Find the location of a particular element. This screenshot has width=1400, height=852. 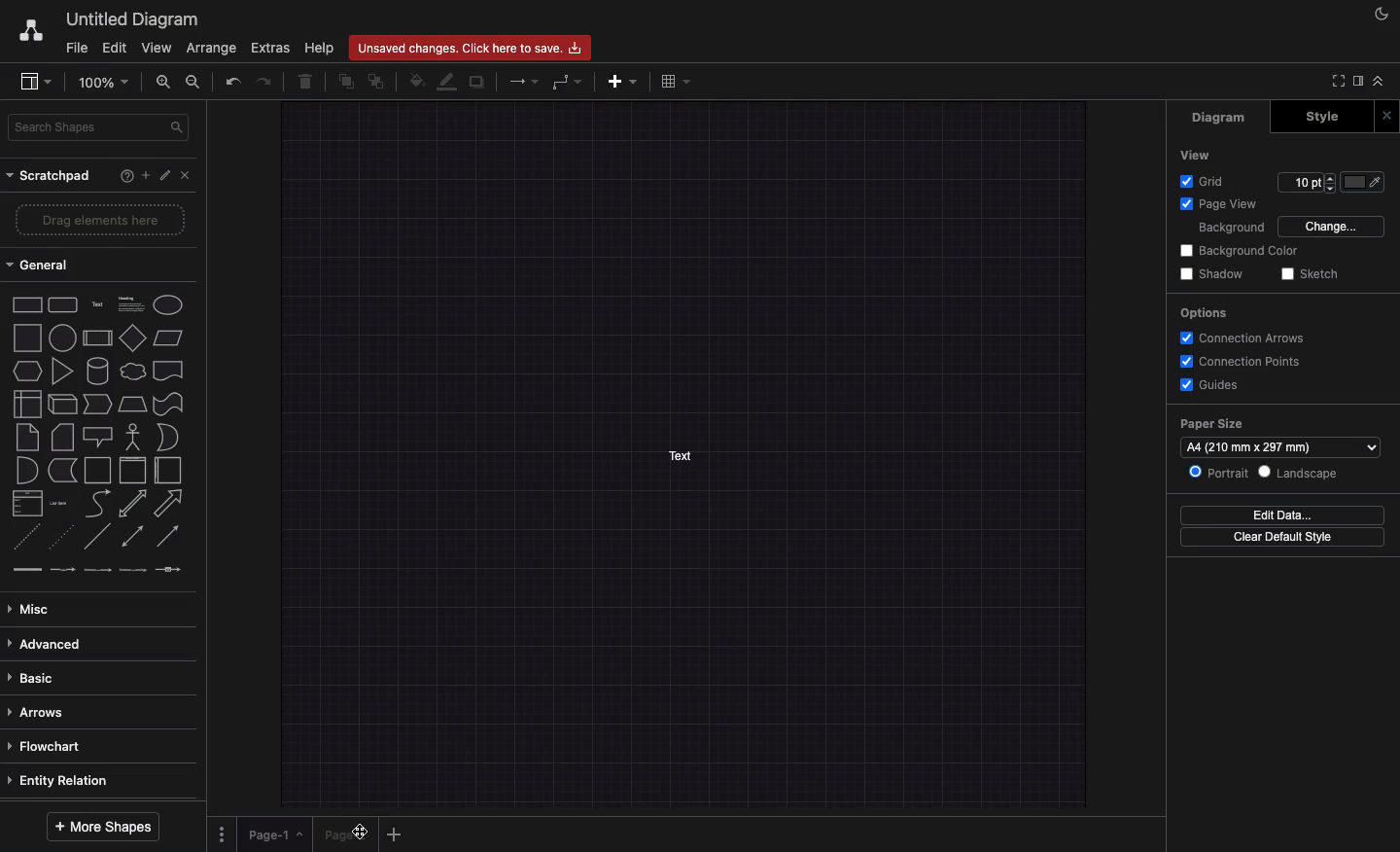

Diagram is located at coordinates (1221, 119).